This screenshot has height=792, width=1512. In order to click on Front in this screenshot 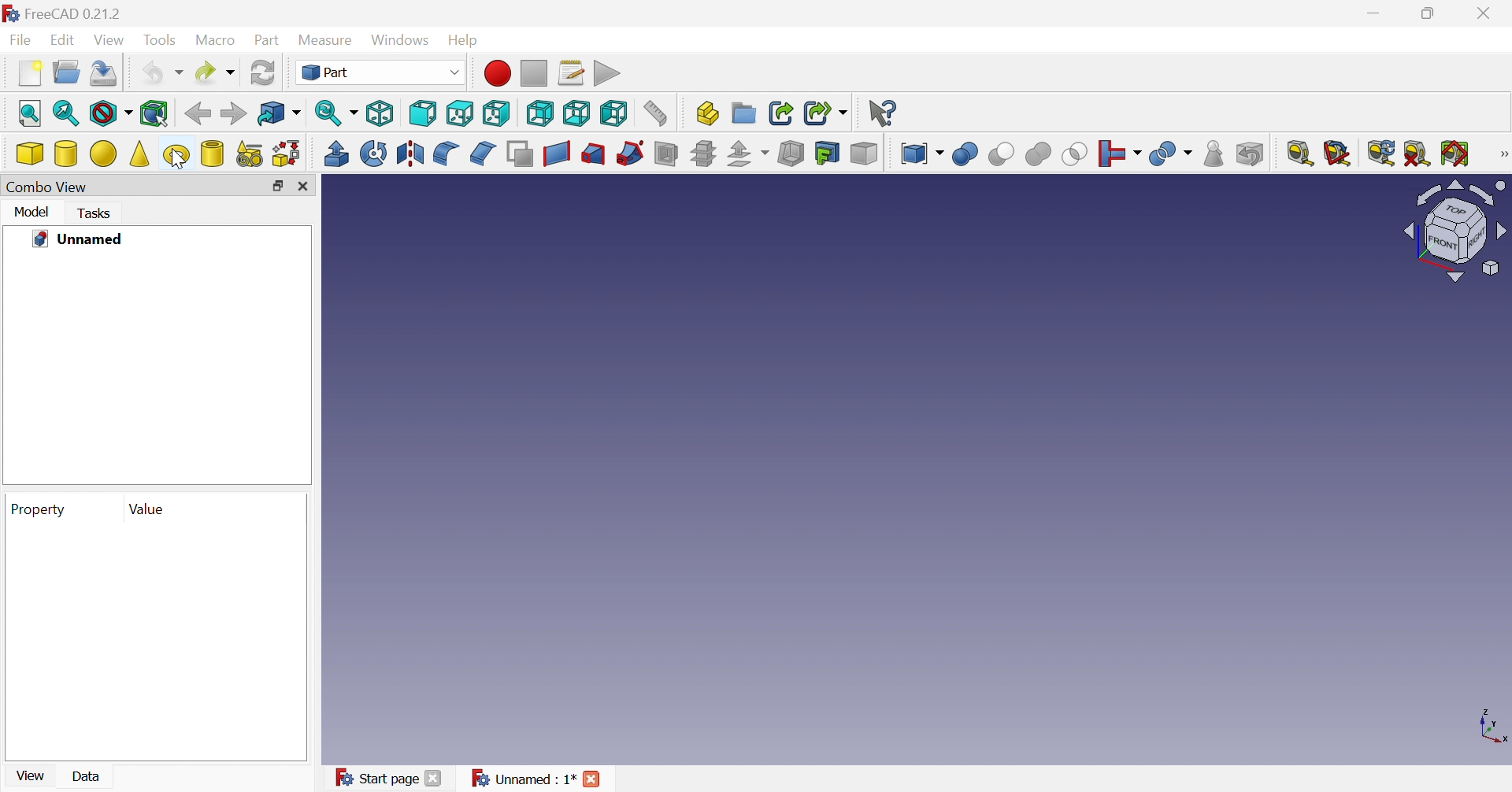, I will do `click(424, 113)`.